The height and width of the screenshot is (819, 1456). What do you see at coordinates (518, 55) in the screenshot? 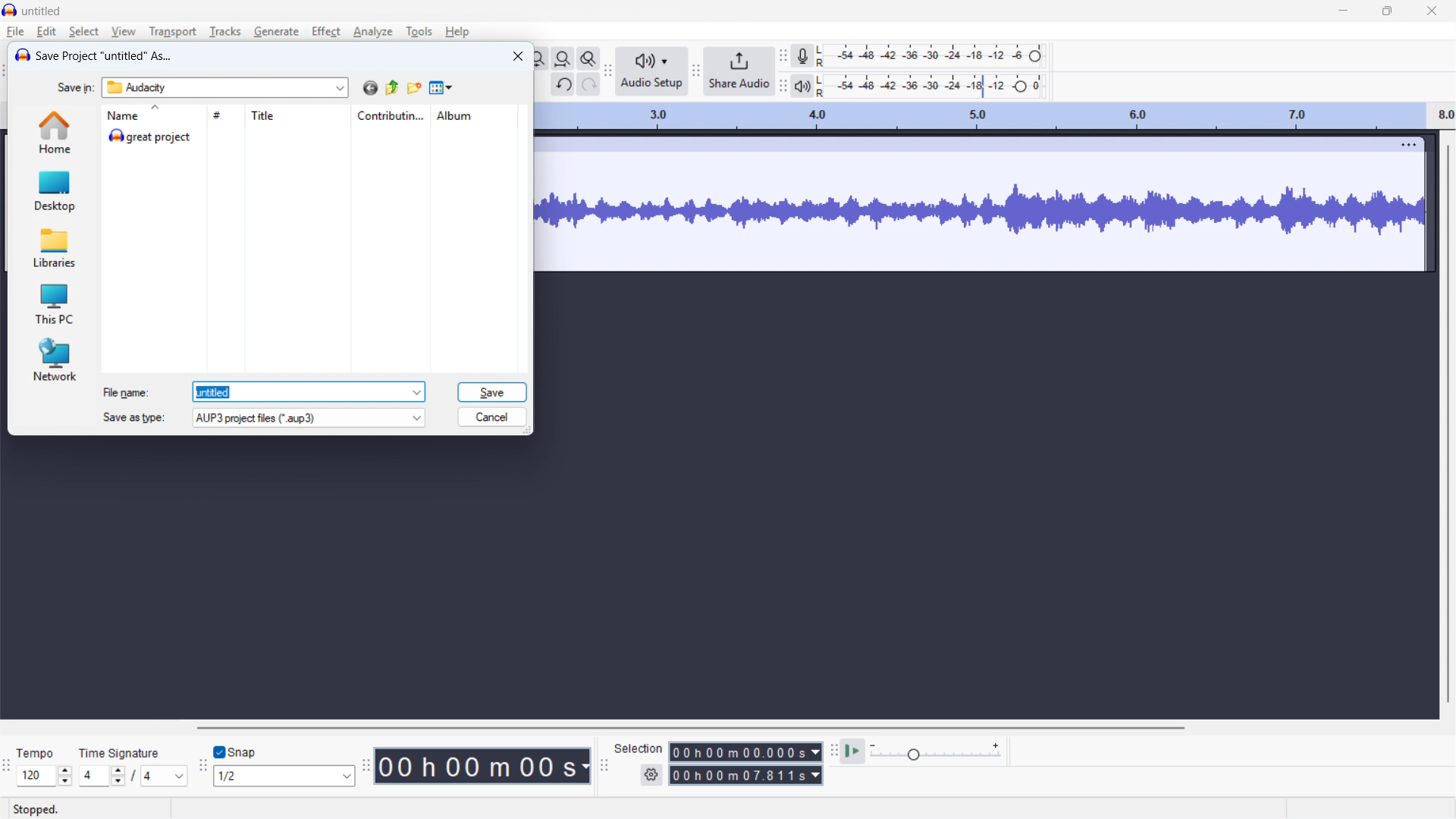
I see `close` at bounding box center [518, 55].